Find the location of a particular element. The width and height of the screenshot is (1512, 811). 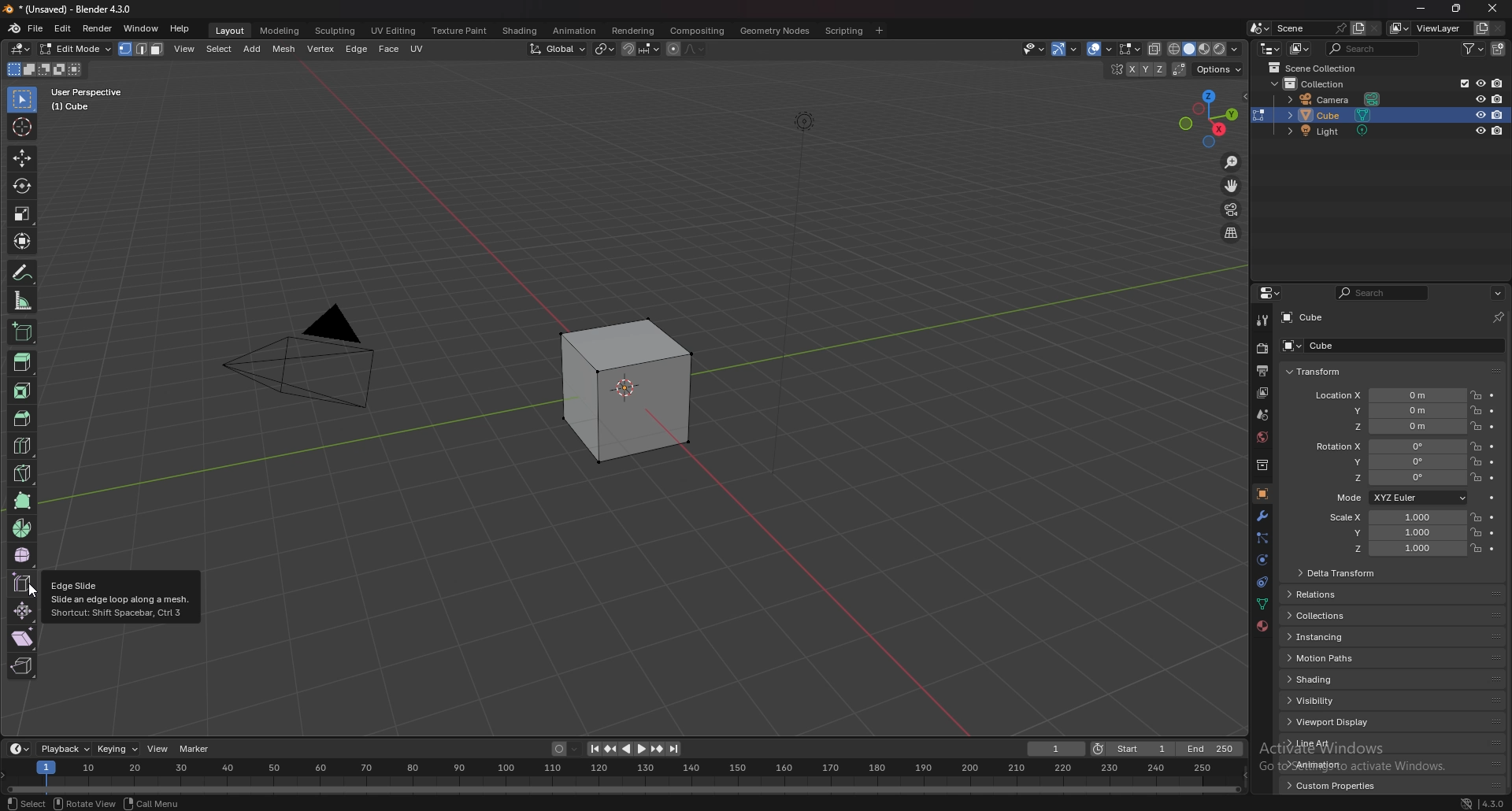

visibility is located at coordinates (1317, 700).